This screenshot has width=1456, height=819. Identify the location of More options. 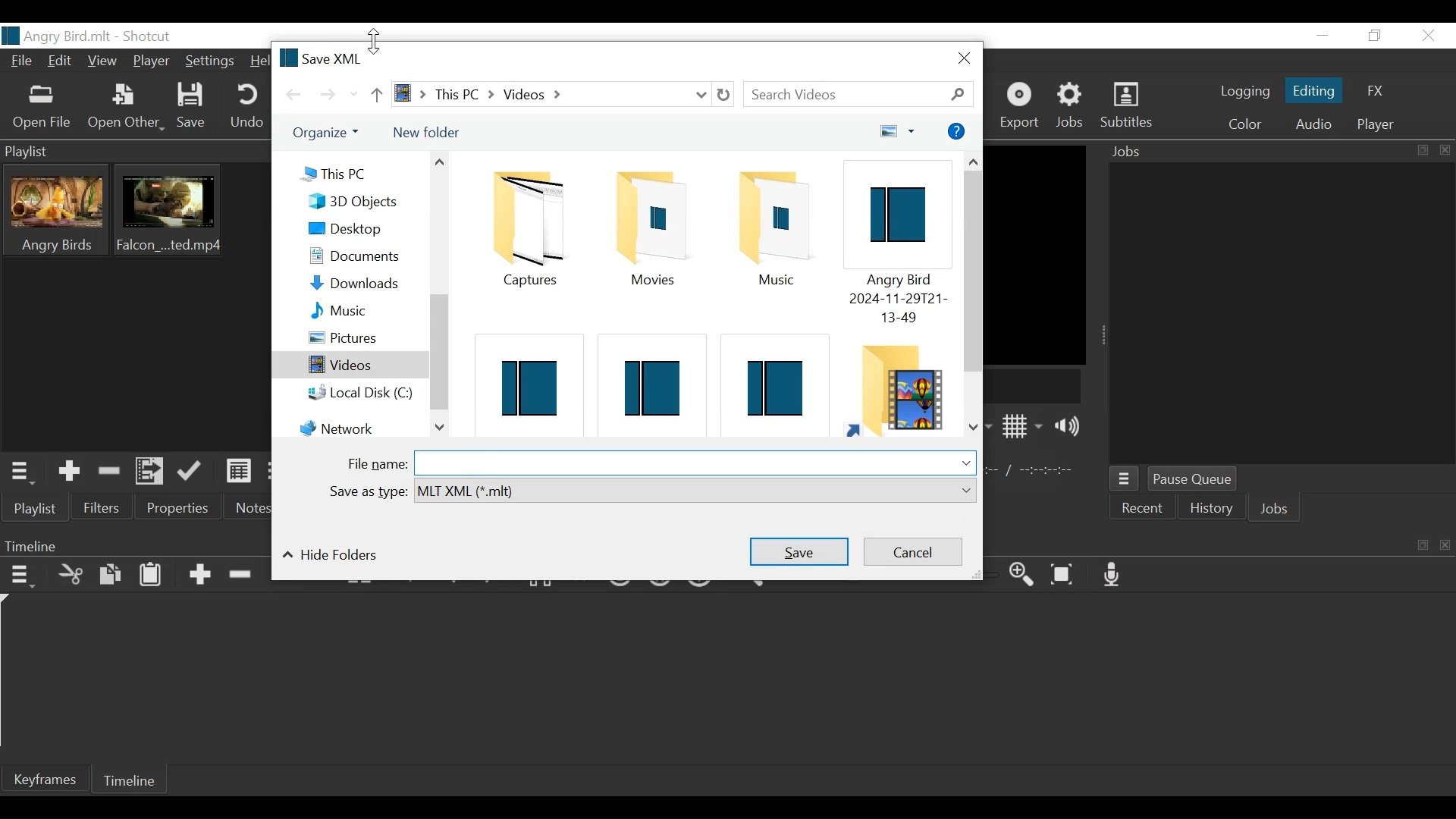
(959, 130).